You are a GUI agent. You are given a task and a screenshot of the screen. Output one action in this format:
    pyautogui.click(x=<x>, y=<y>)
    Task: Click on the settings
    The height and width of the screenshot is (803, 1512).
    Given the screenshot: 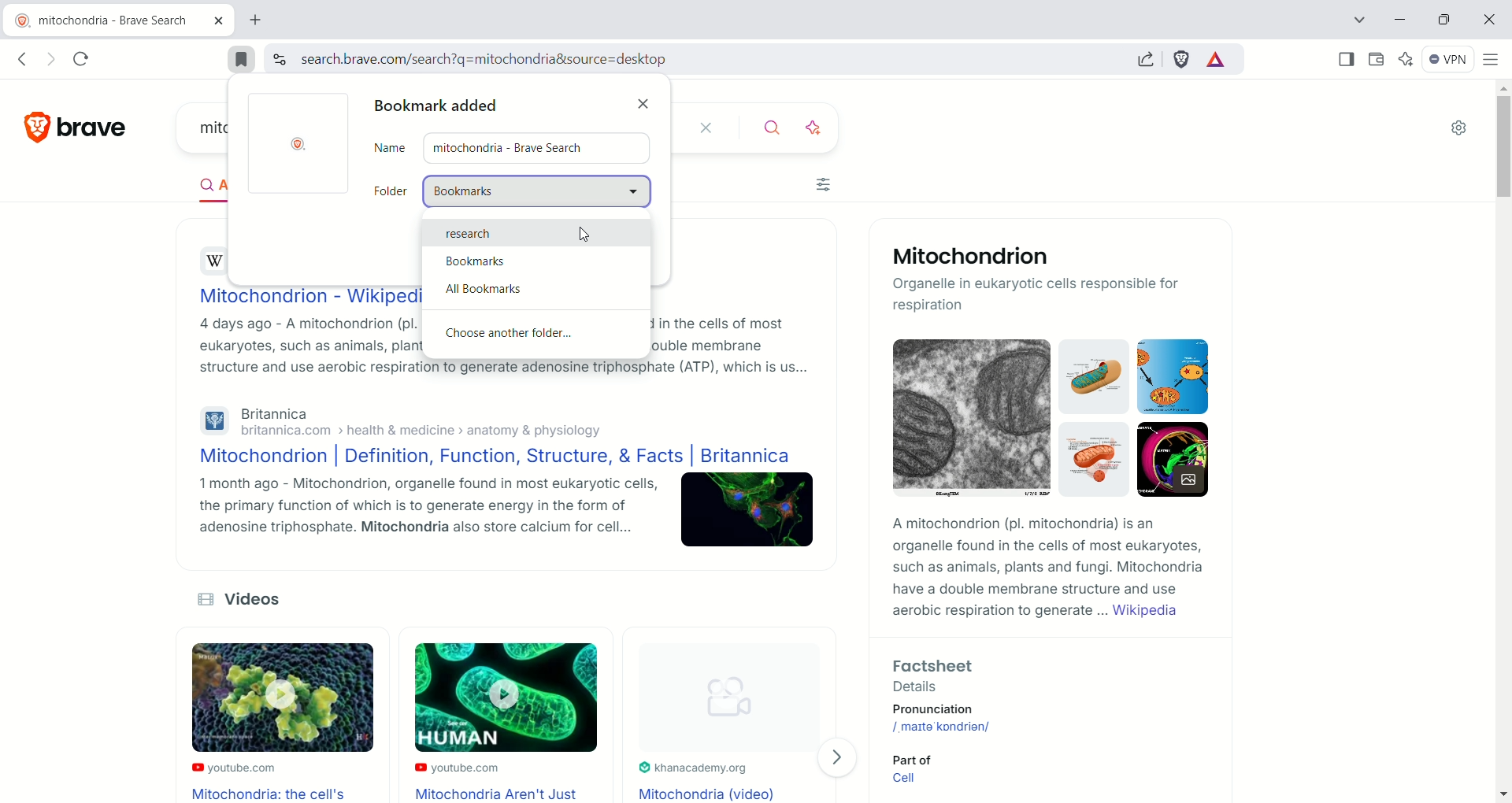 What is the action you would take?
    pyautogui.click(x=1461, y=129)
    